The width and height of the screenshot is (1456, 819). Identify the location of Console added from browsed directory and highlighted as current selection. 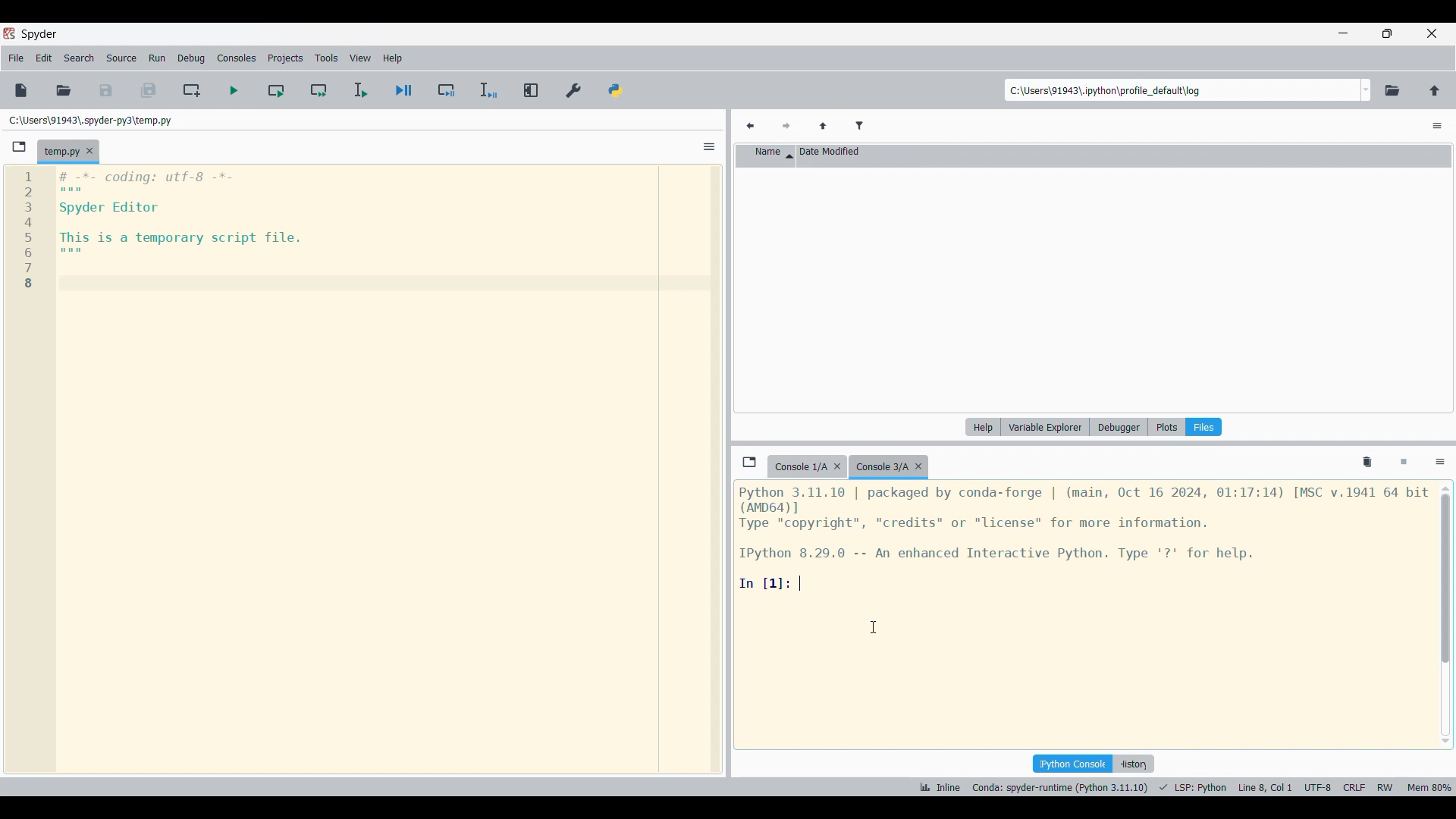
(889, 467).